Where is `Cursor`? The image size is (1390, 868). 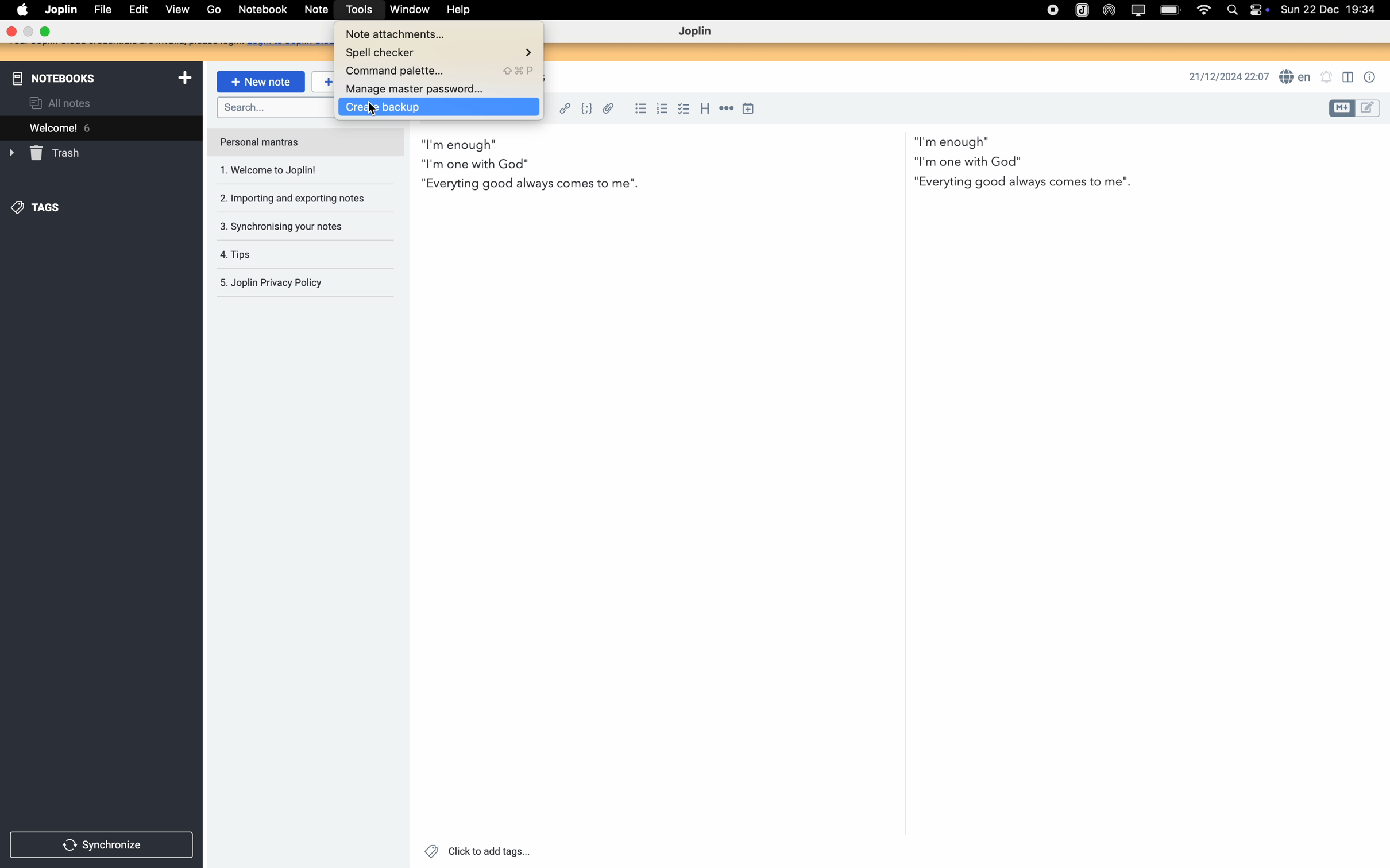 Cursor is located at coordinates (370, 107).